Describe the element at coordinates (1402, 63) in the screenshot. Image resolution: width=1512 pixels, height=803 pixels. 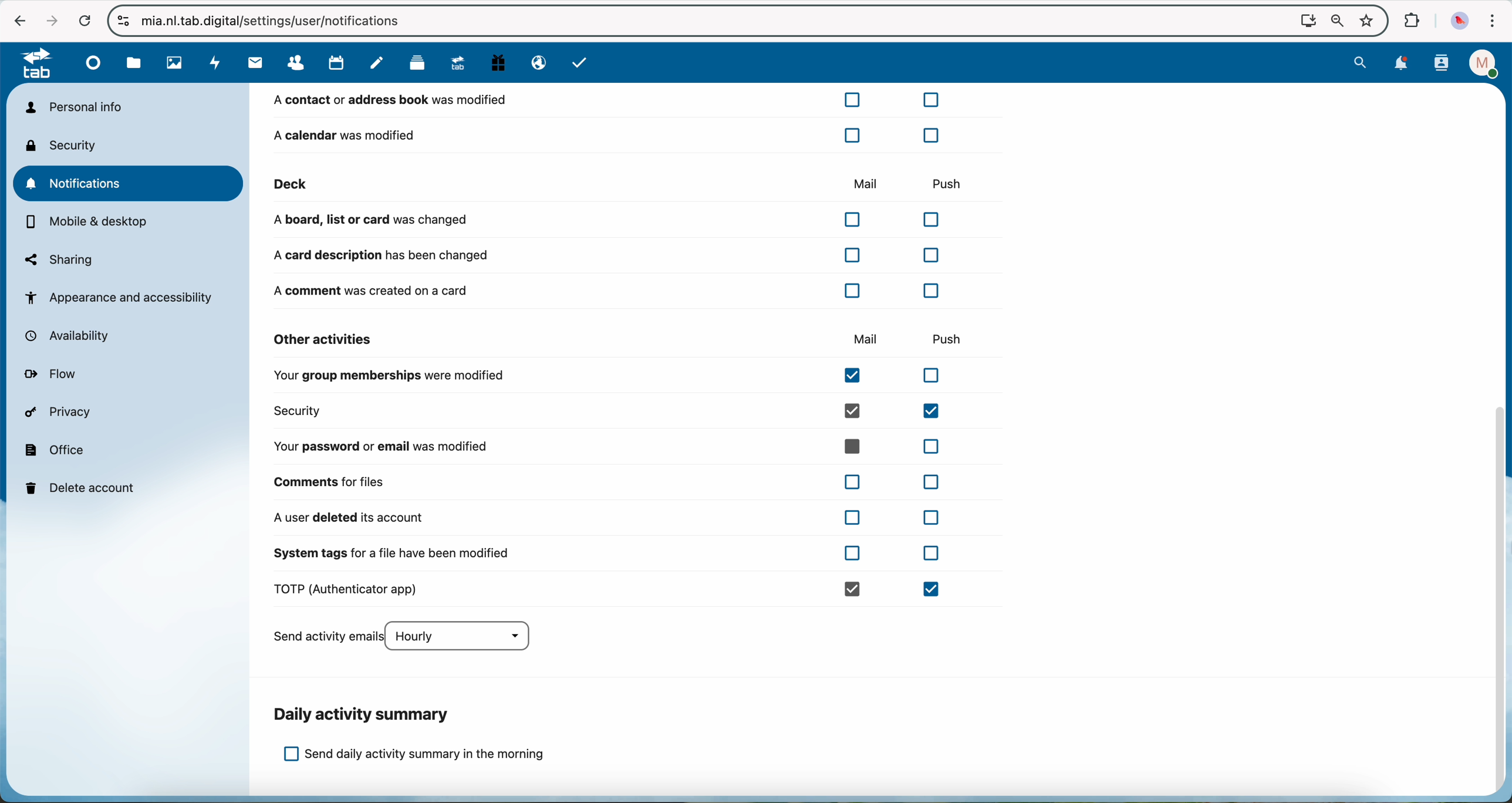
I see `notifications` at that location.